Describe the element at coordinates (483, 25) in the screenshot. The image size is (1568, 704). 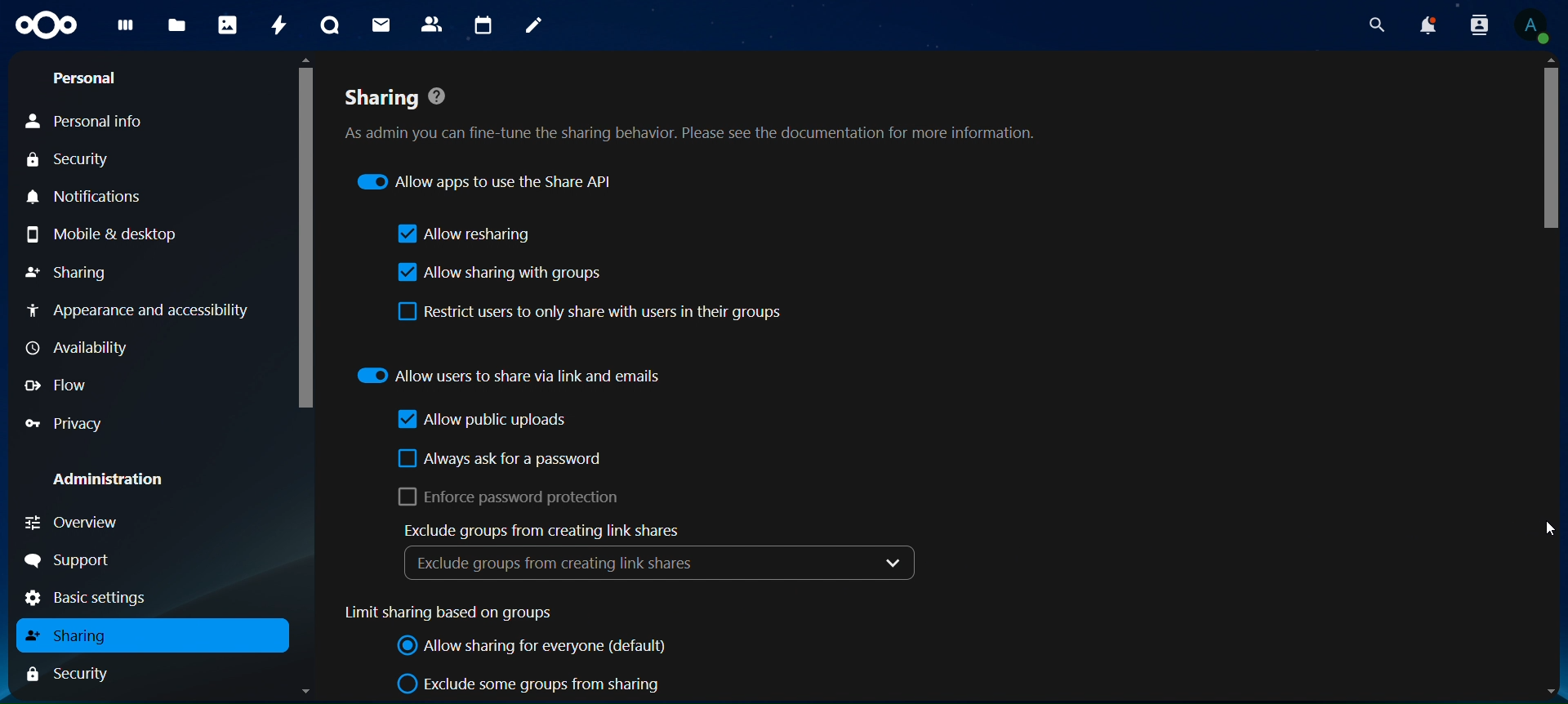
I see `calendar` at that location.